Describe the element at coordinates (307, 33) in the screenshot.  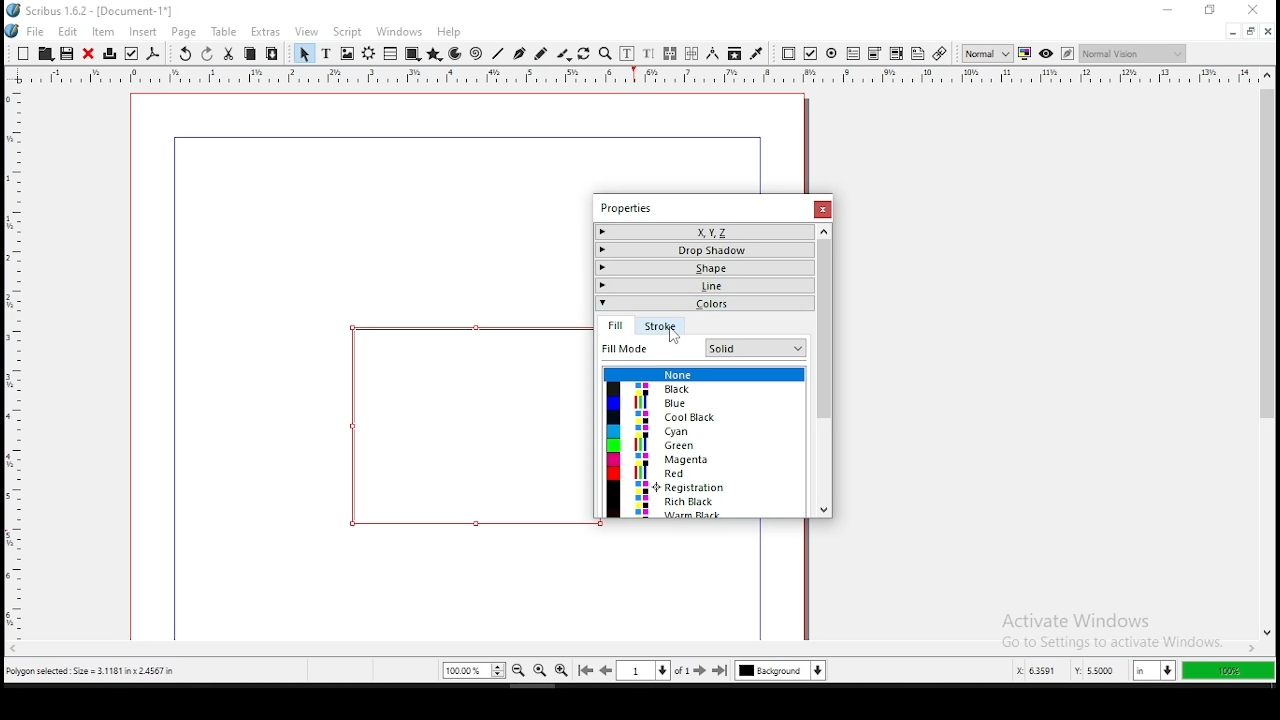
I see `view` at that location.